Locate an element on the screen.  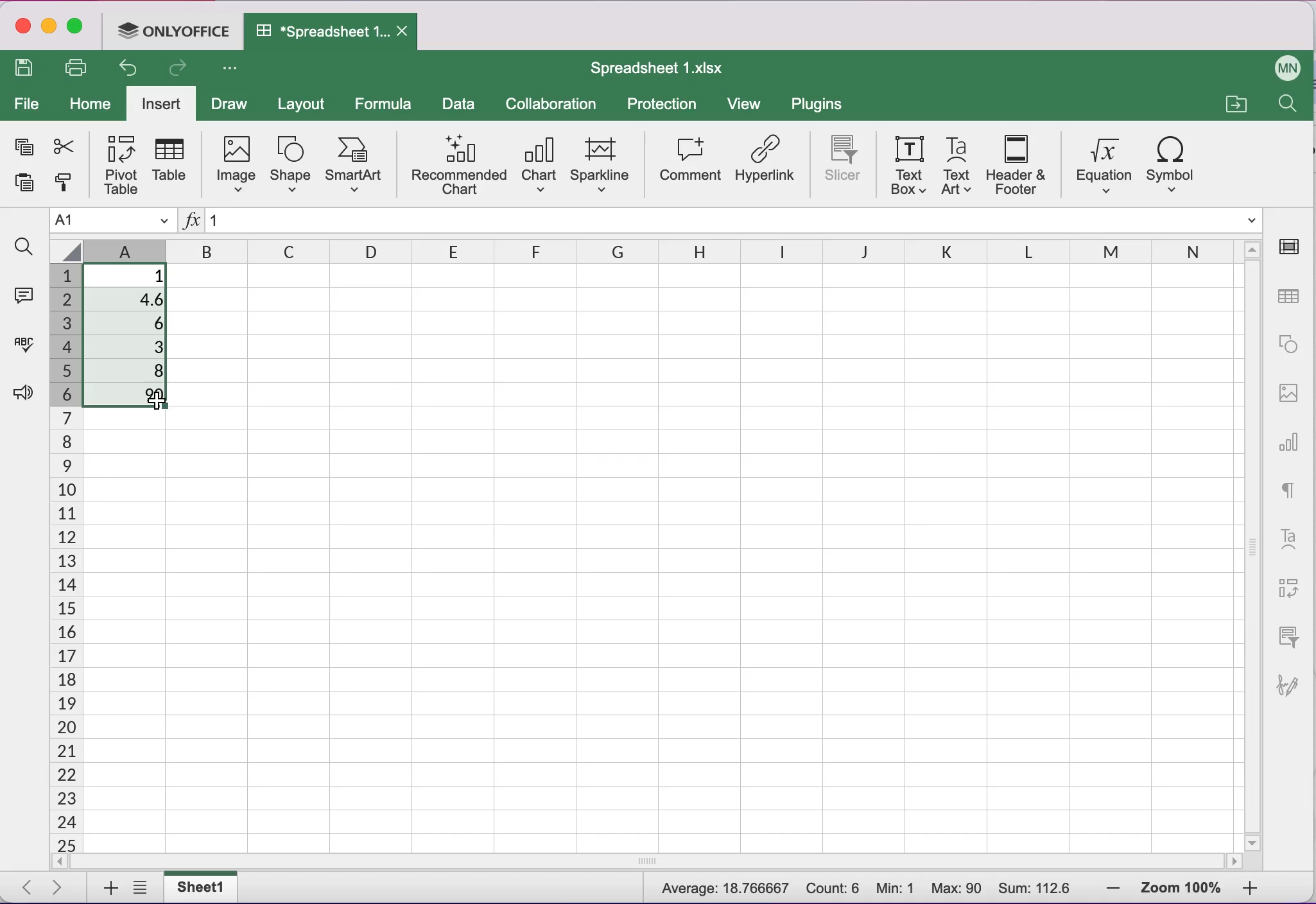
undo is located at coordinates (124, 68).